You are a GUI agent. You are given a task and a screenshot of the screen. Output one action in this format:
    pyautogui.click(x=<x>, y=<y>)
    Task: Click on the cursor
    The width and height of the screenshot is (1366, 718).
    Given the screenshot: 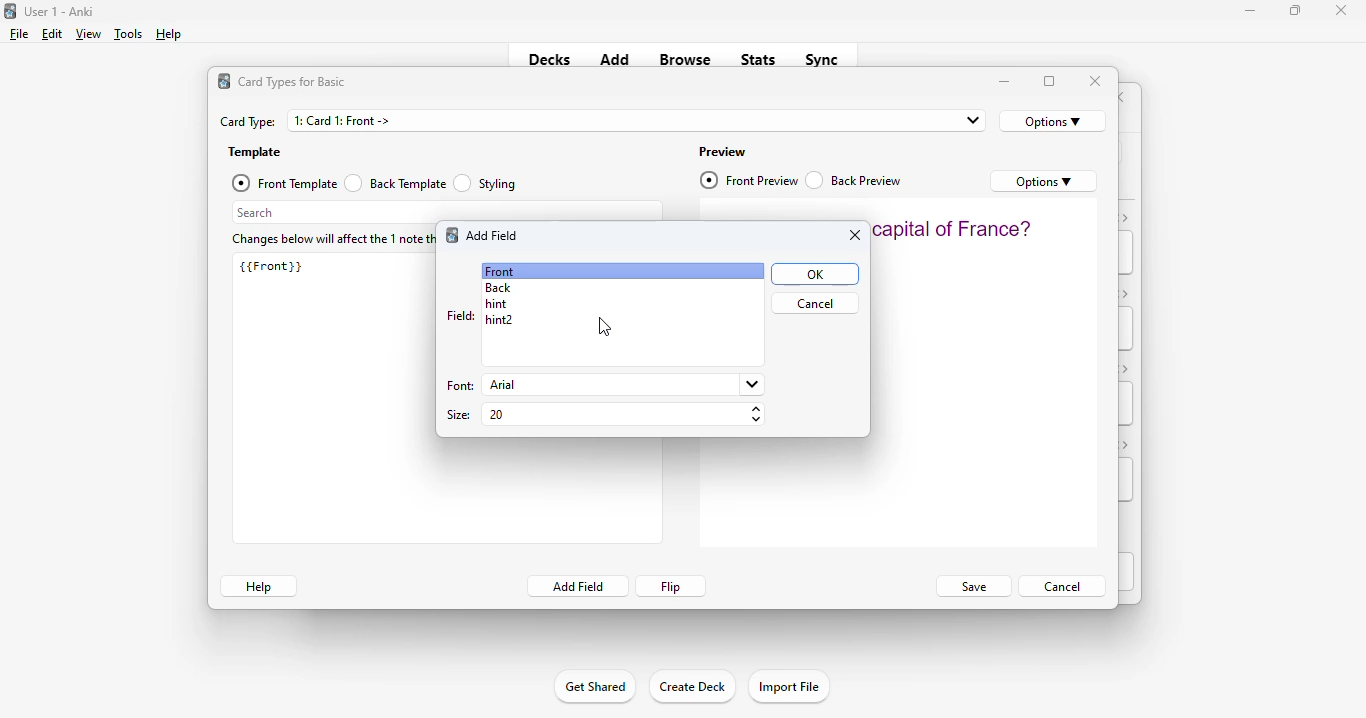 What is the action you would take?
    pyautogui.click(x=605, y=328)
    